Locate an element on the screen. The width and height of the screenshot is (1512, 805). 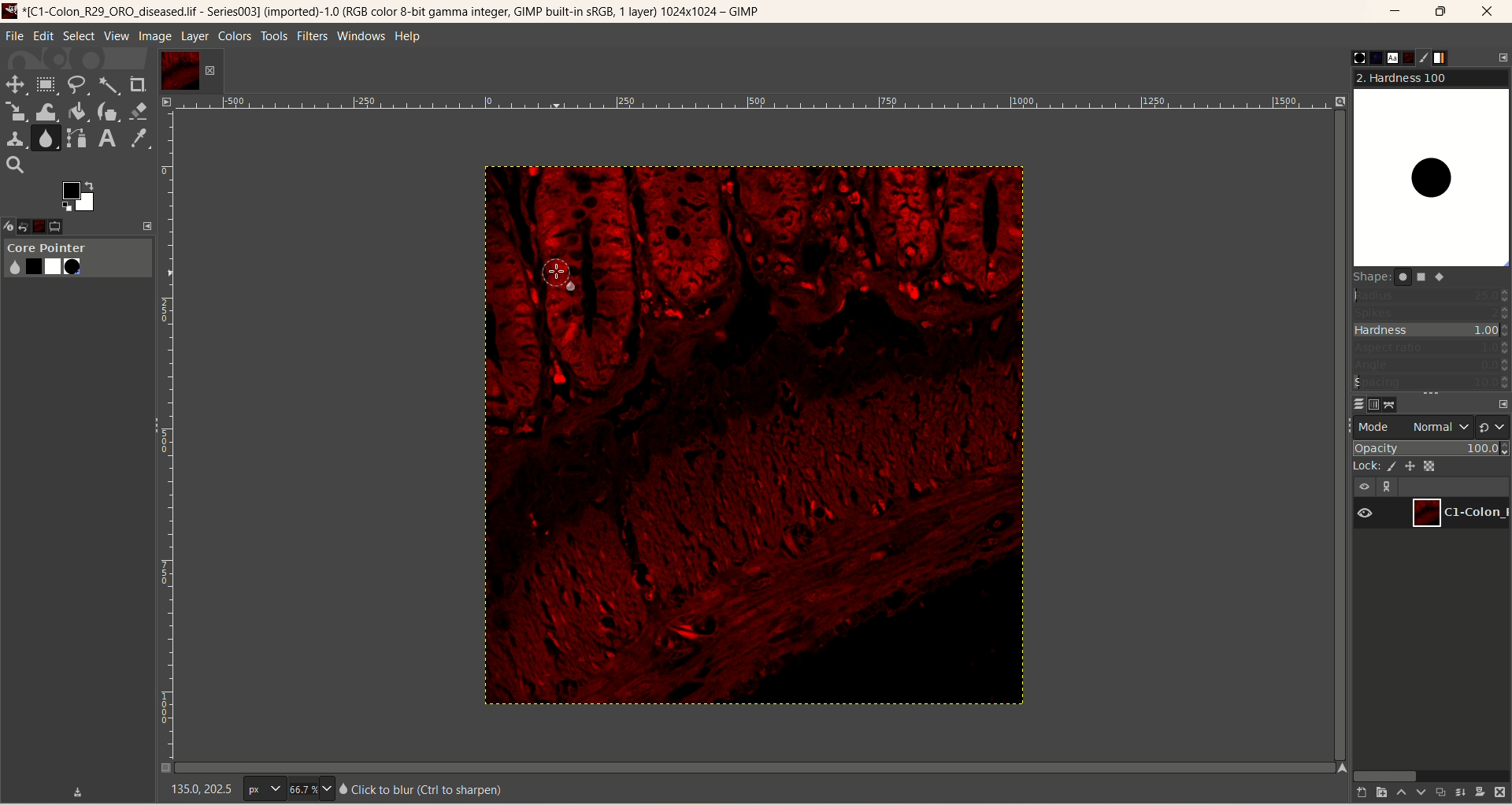
save is located at coordinates (79, 790).